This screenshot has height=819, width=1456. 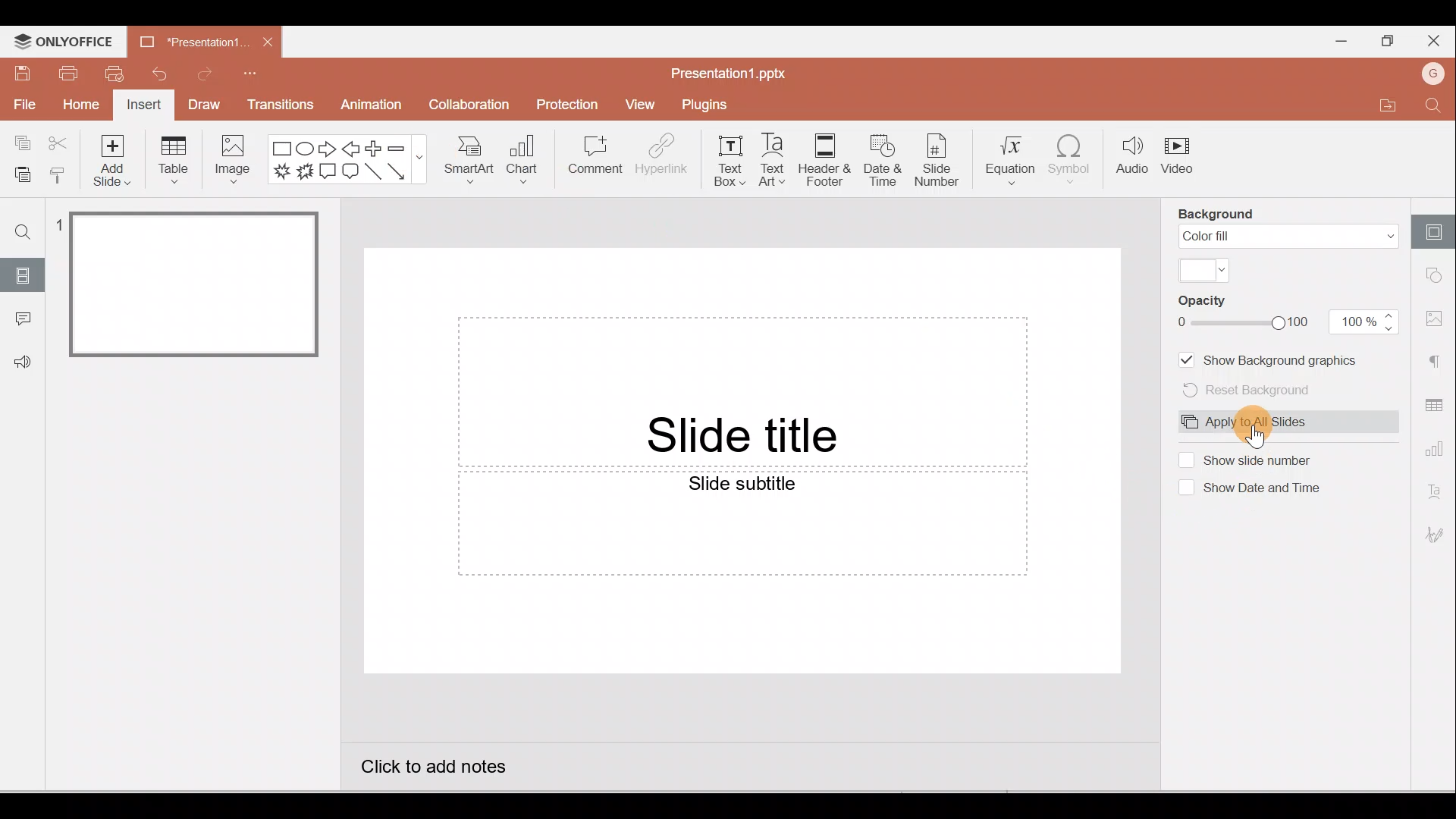 What do you see at coordinates (1219, 214) in the screenshot?
I see `Background` at bounding box center [1219, 214].